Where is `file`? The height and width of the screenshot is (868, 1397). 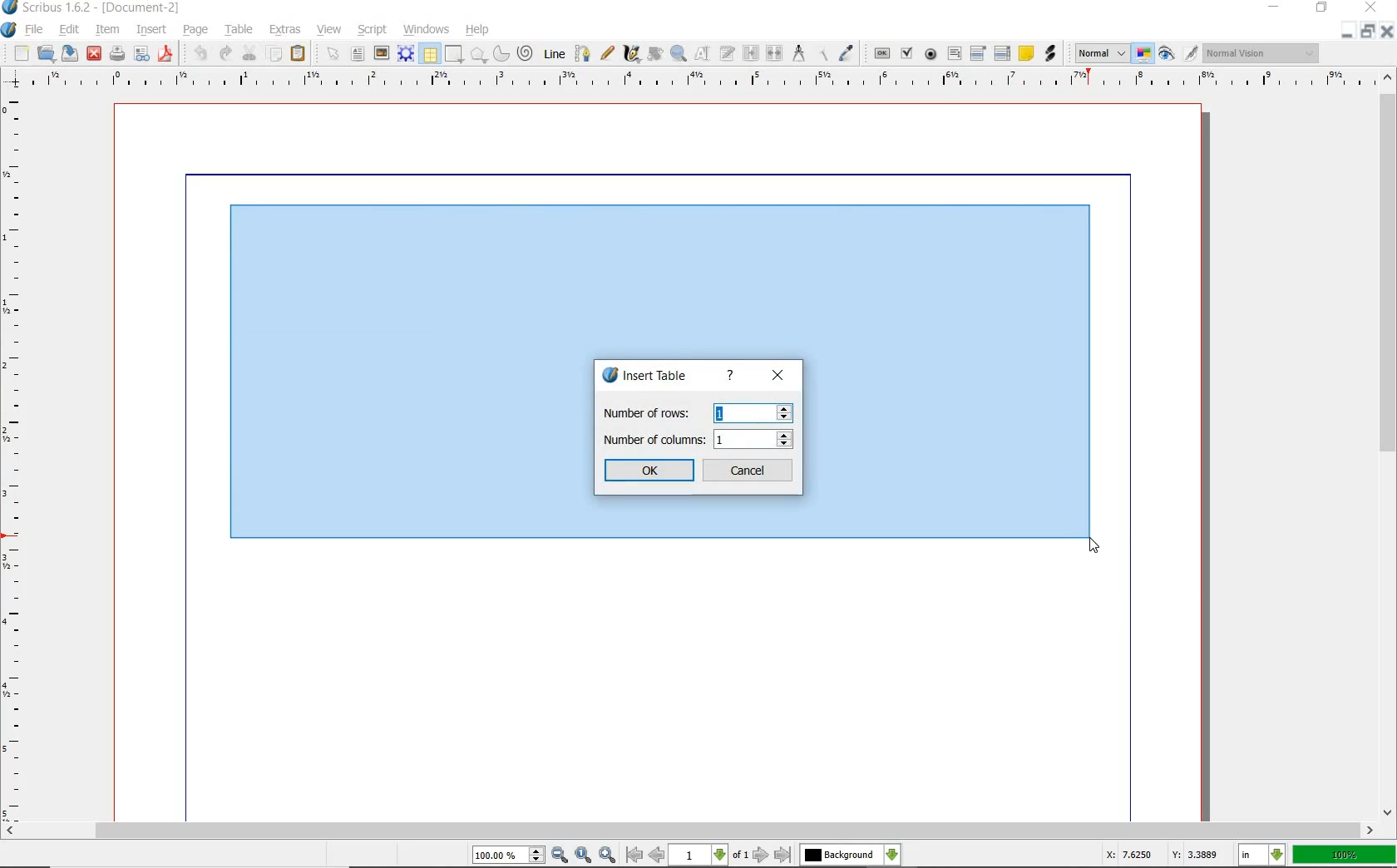 file is located at coordinates (36, 31).